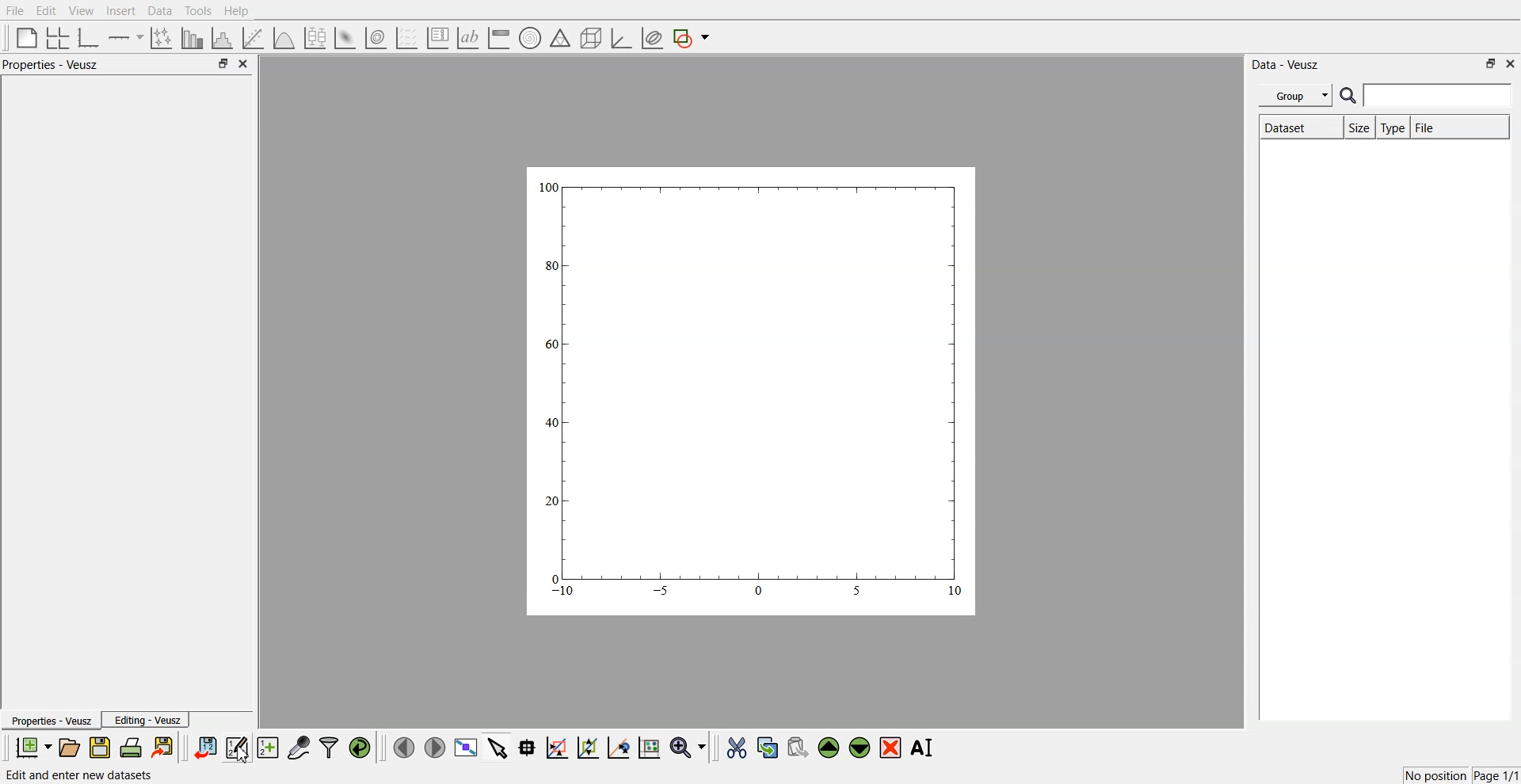 This screenshot has width=1521, height=784. What do you see at coordinates (527, 748) in the screenshot?
I see `read data points` at bounding box center [527, 748].